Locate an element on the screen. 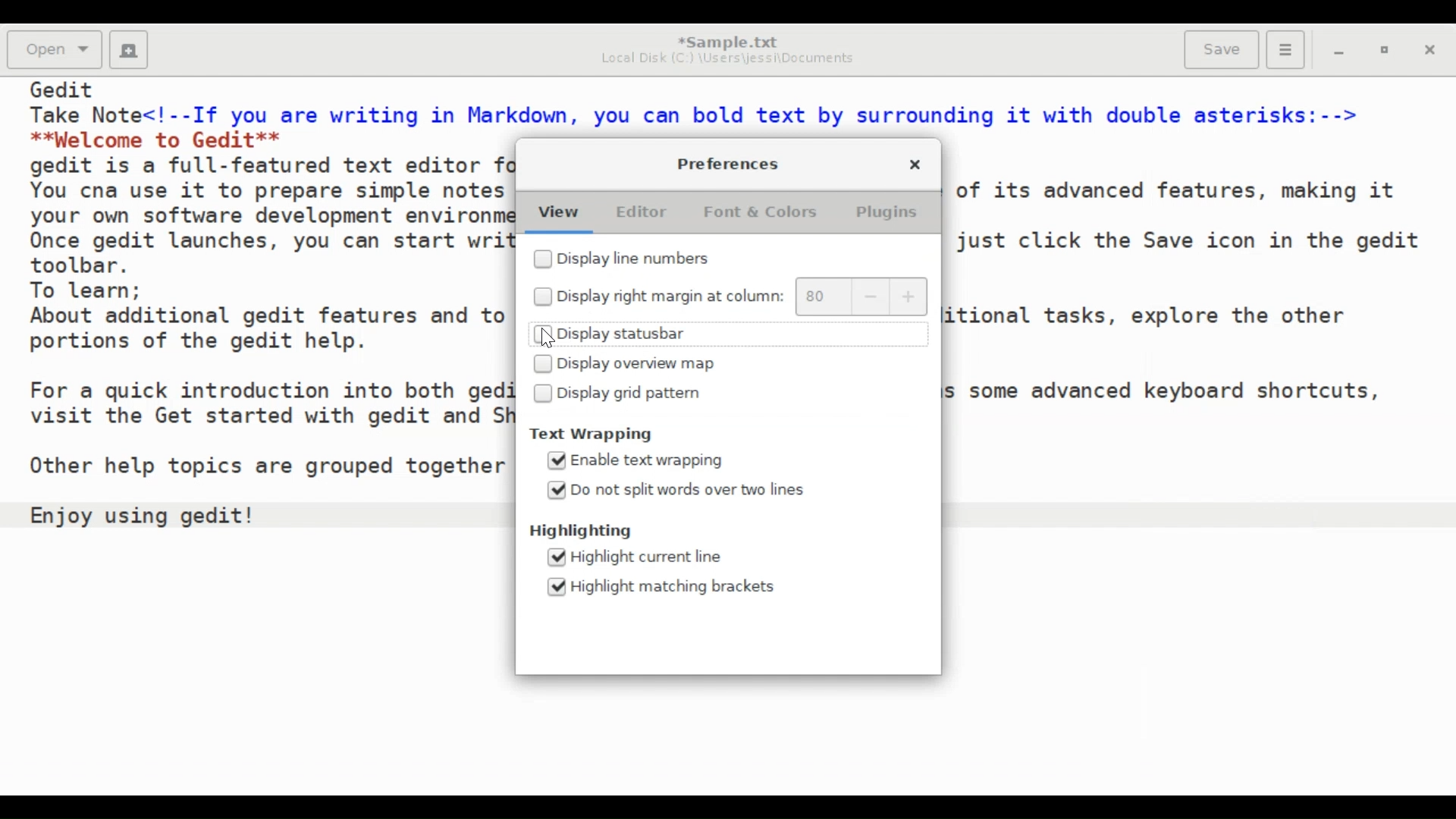 The height and width of the screenshot is (819, 1456). Highlighting is located at coordinates (581, 532).